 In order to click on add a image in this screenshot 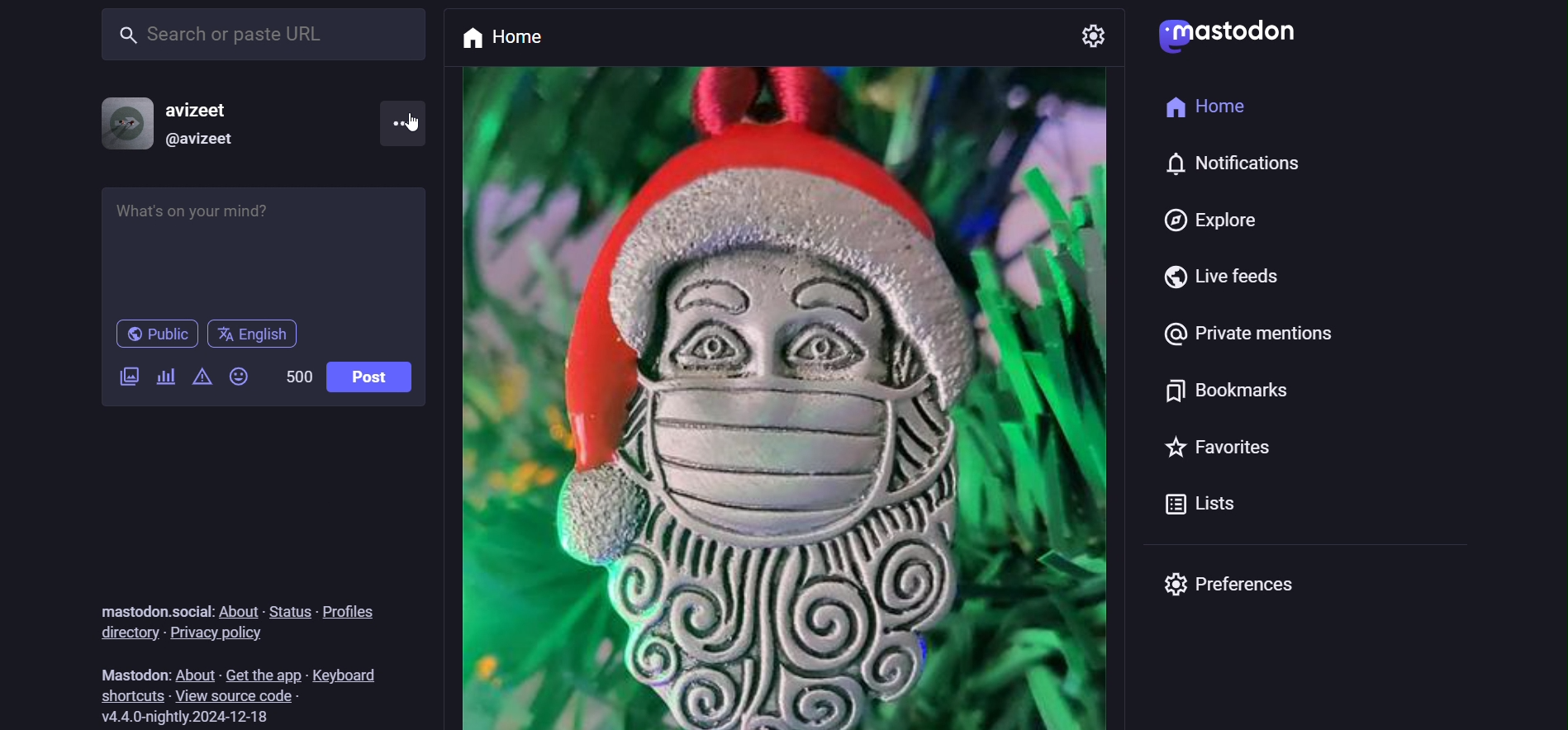, I will do `click(126, 378)`.